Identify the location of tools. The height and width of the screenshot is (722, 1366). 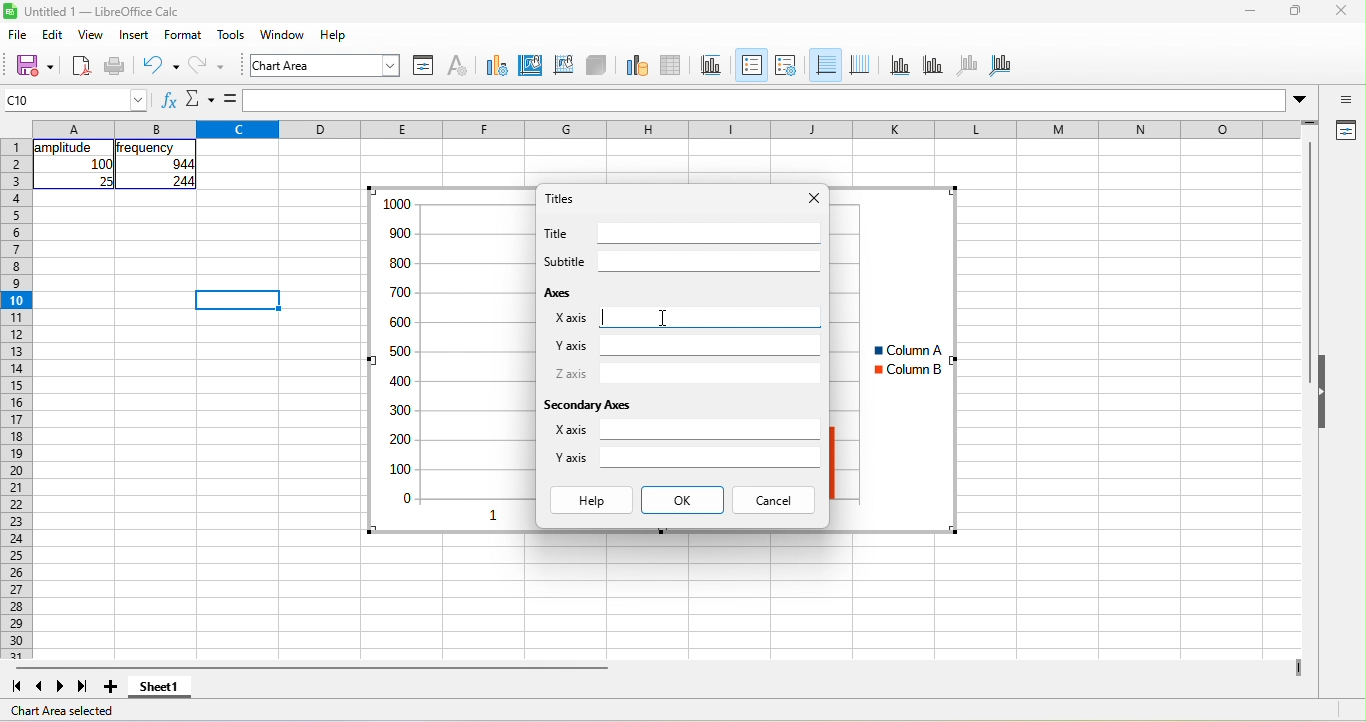
(231, 34).